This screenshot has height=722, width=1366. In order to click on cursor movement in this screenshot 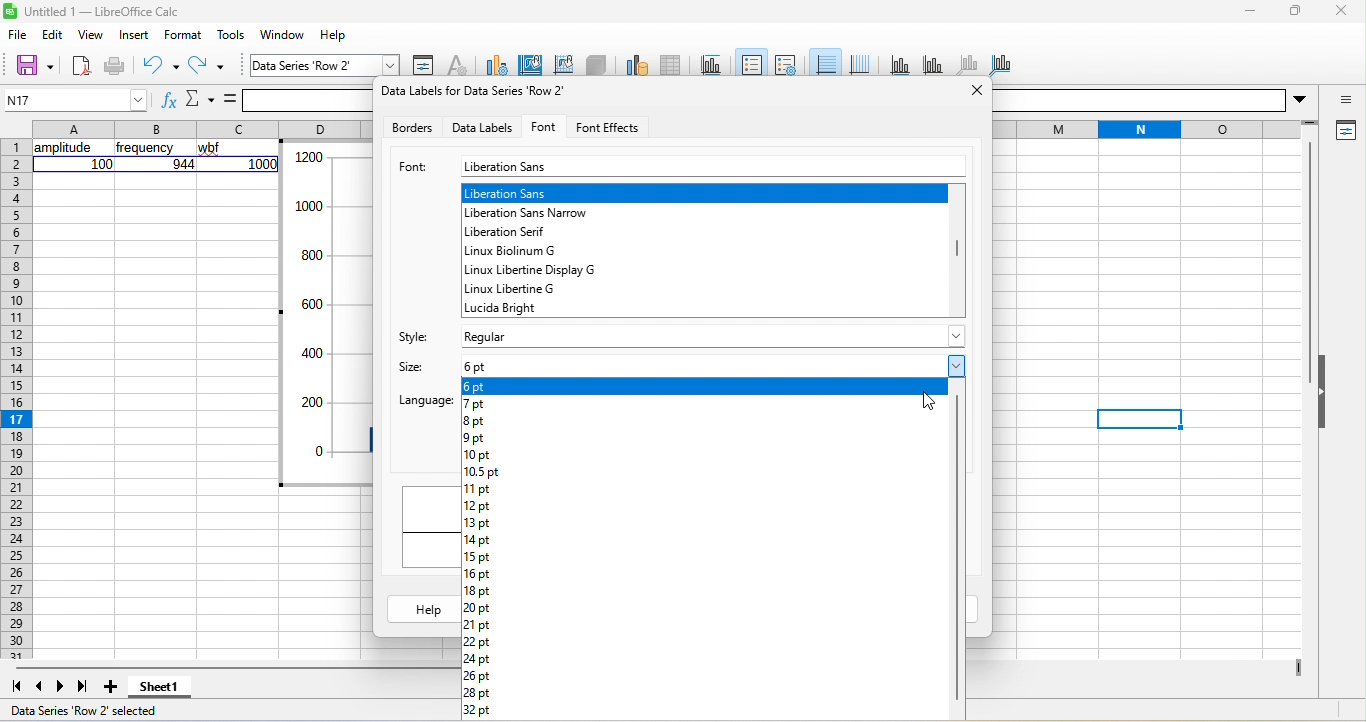, I will do `click(928, 402)`.